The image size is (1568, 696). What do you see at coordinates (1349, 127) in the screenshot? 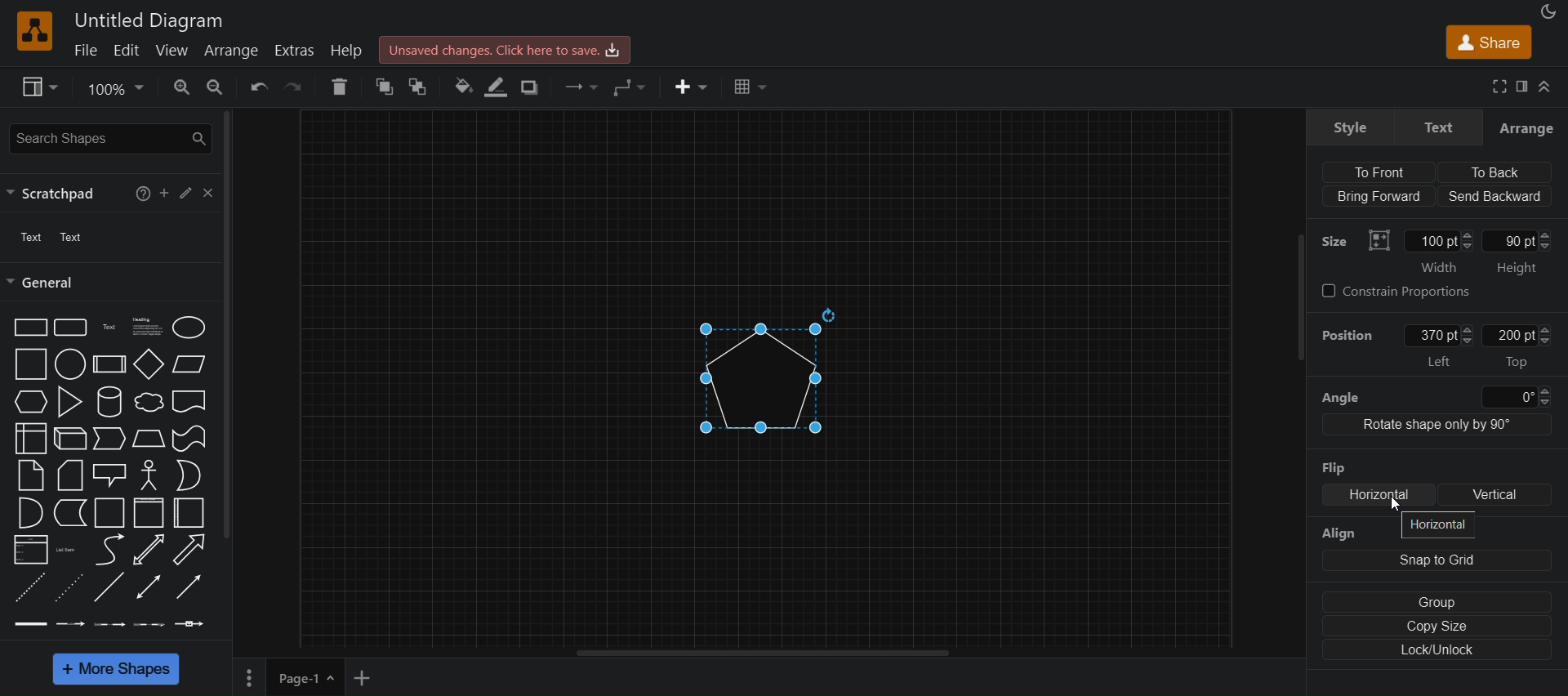
I see `style` at bounding box center [1349, 127].